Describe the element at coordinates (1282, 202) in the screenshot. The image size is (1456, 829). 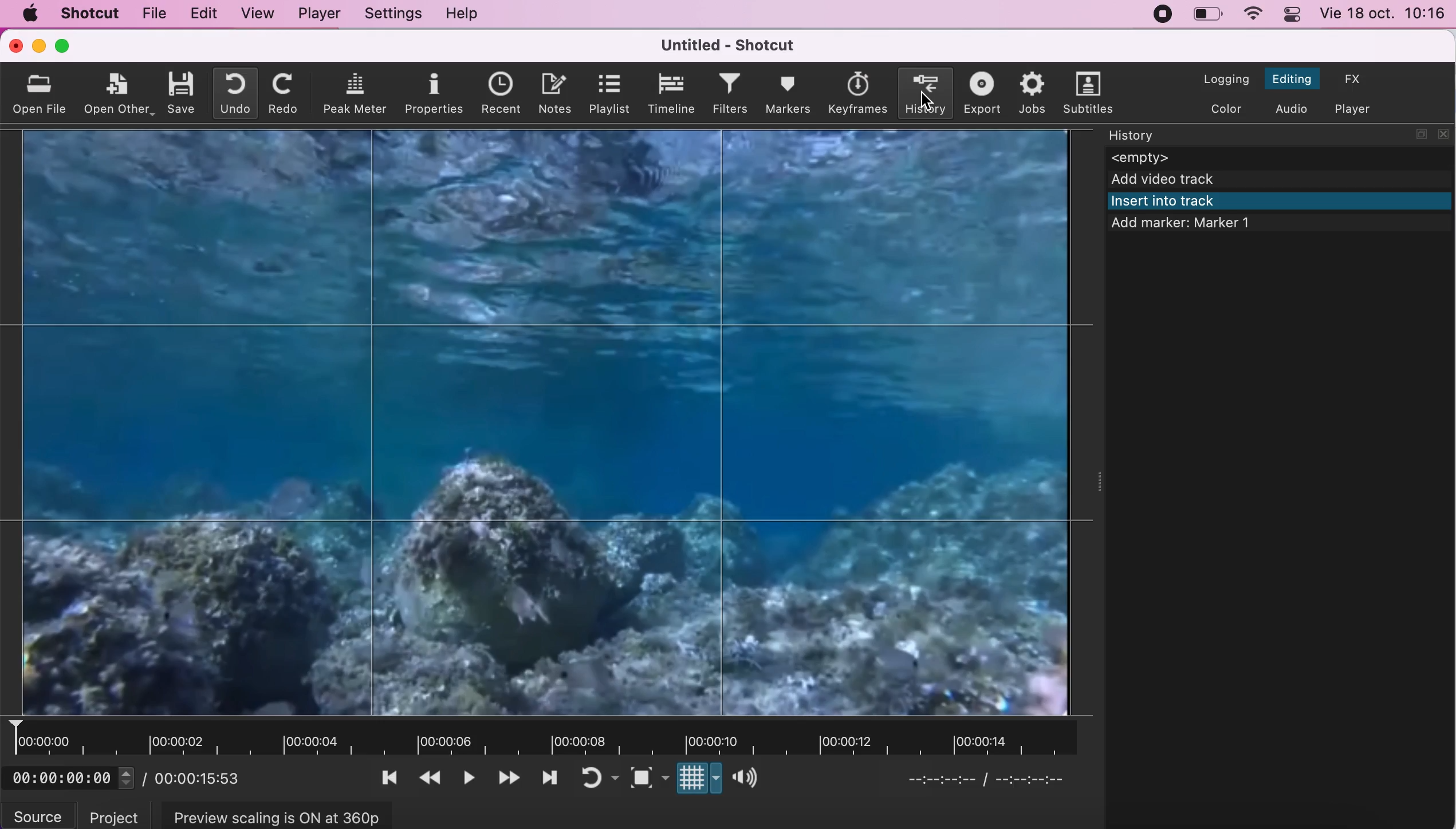
I see `insert into track` at that location.